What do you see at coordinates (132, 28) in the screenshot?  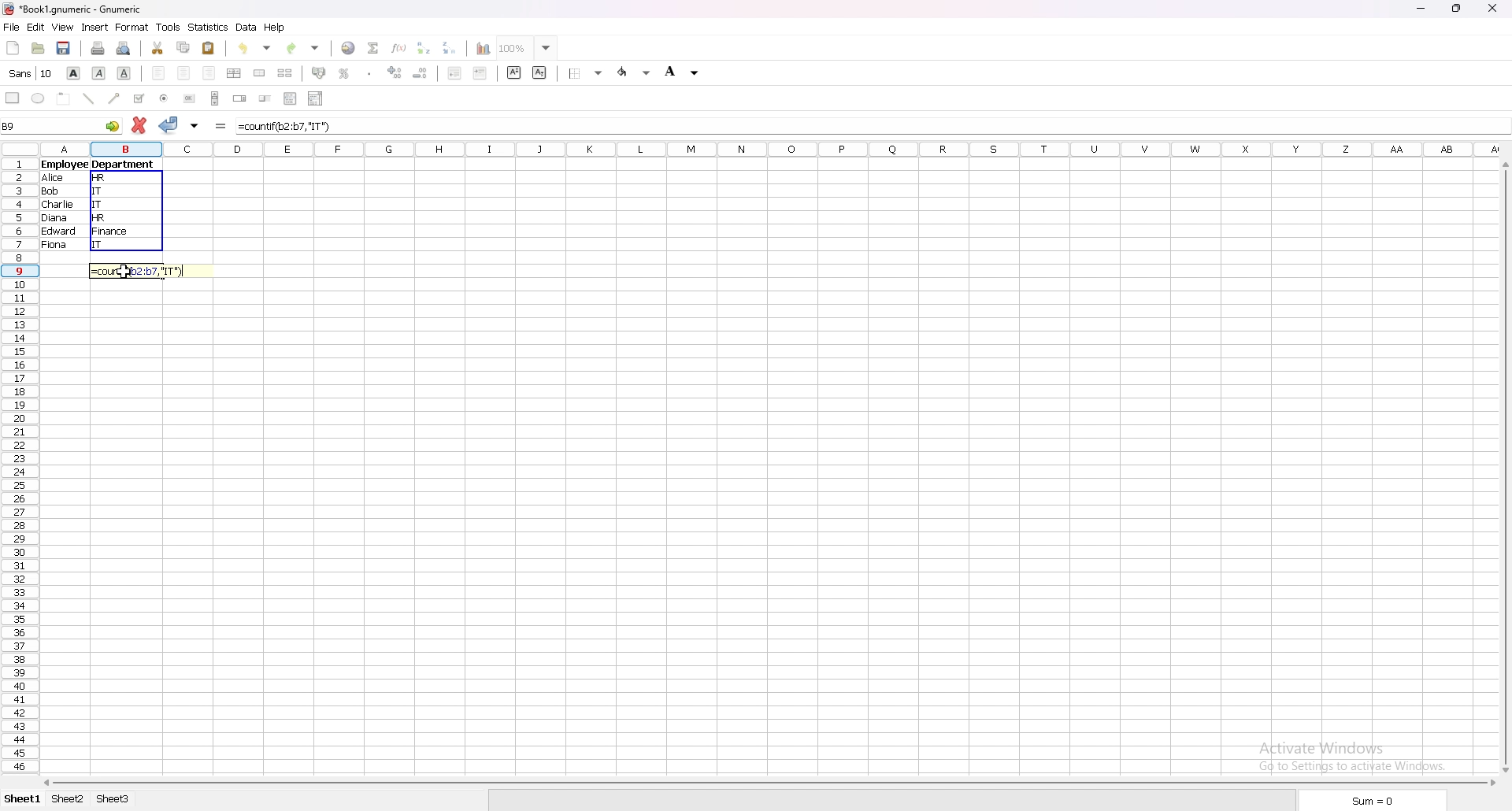 I see `format` at bounding box center [132, 28].